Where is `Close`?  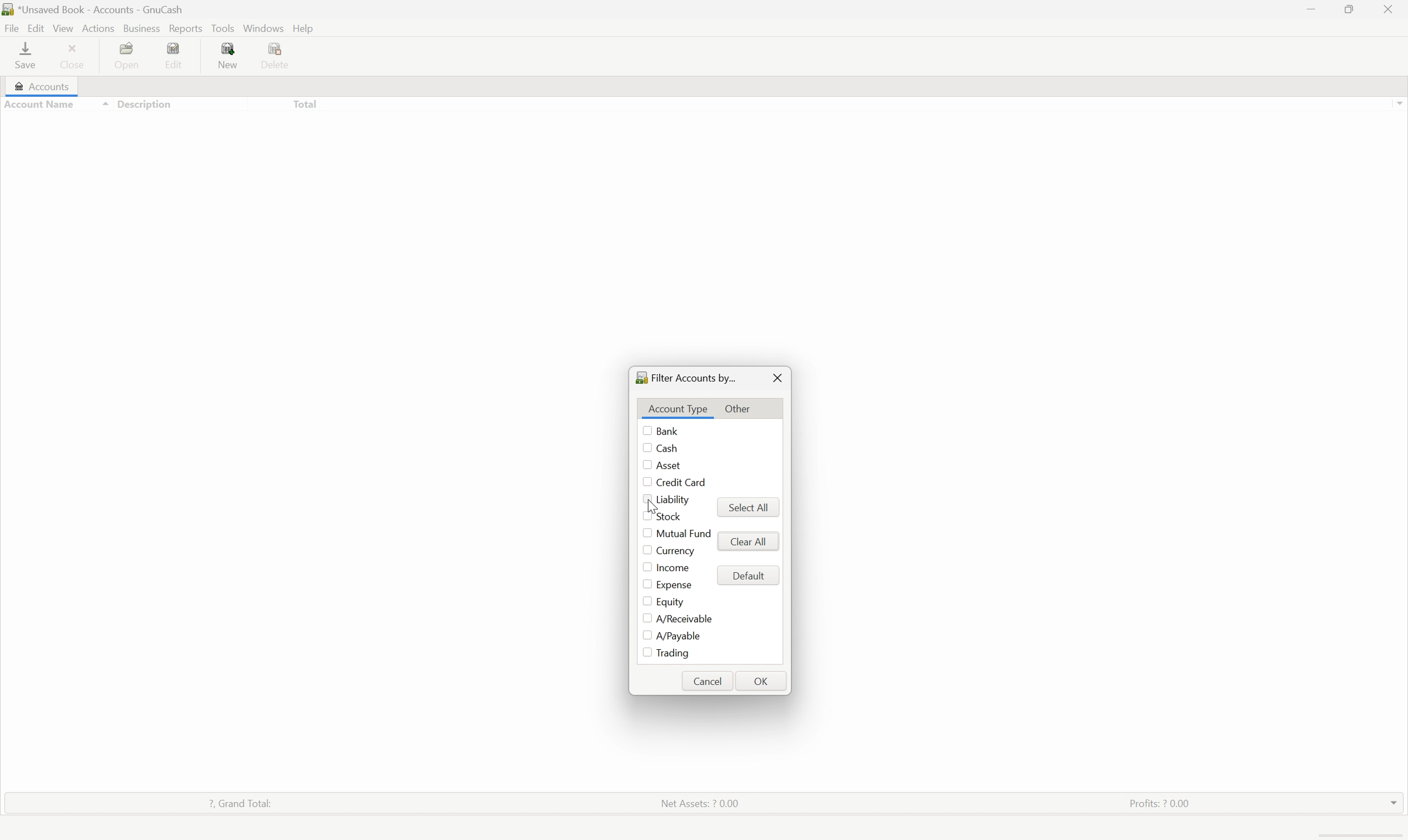 Close is located at coordinates (779, 378).